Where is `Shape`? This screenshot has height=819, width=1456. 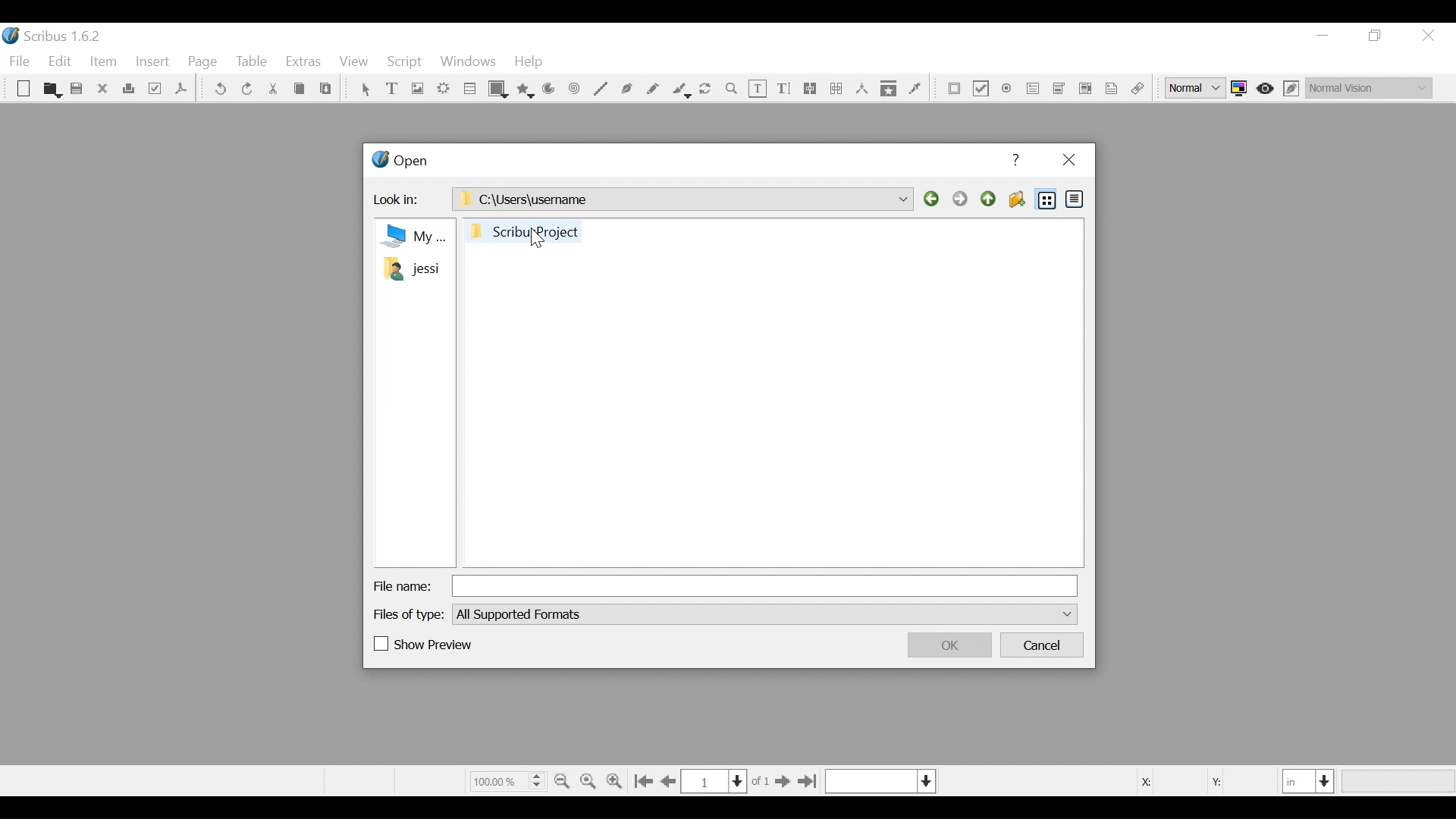
Shape is located at coordinates (499, 89).